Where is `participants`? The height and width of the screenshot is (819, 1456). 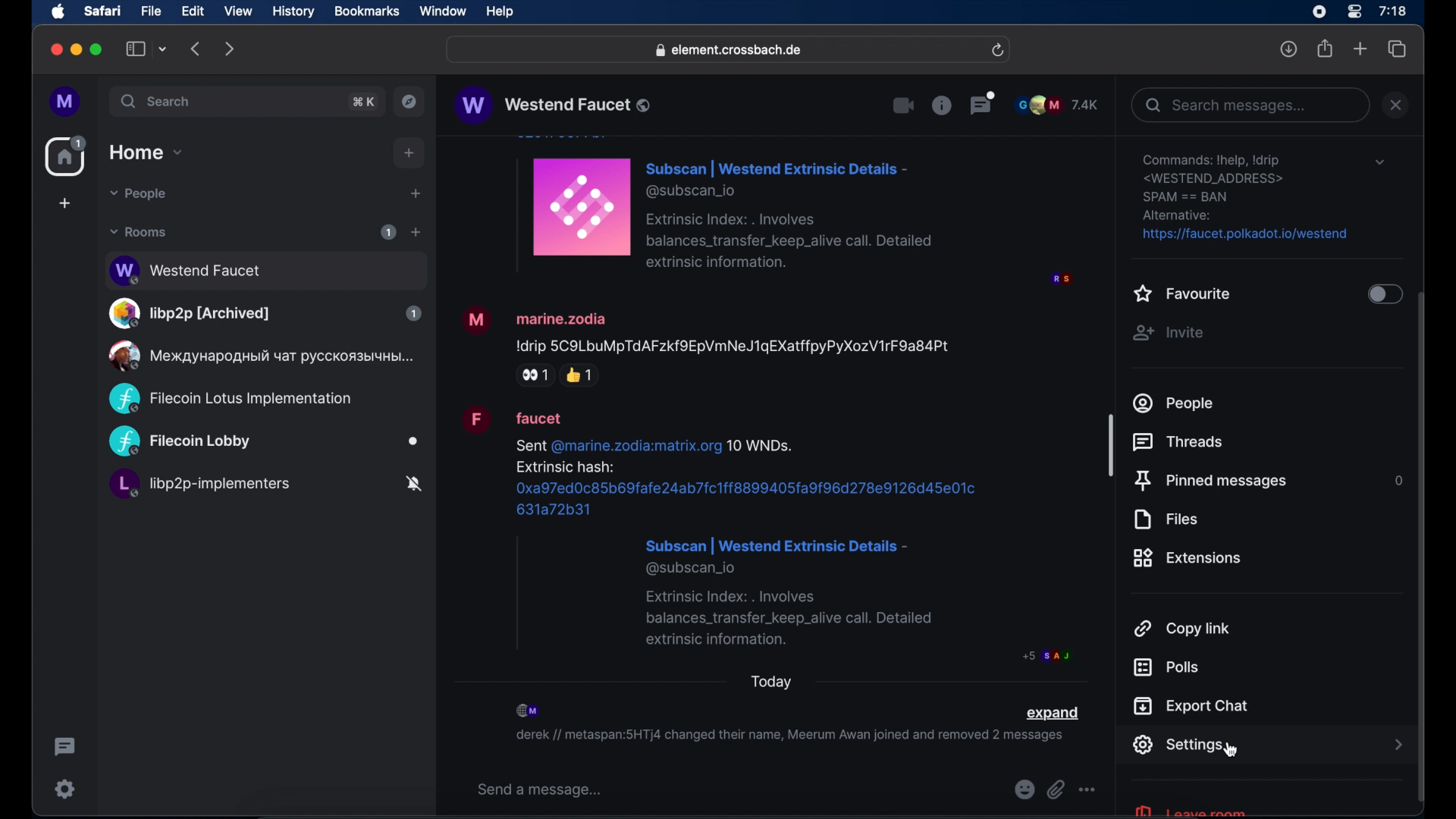 participants is located at coordinates (1057, 105).